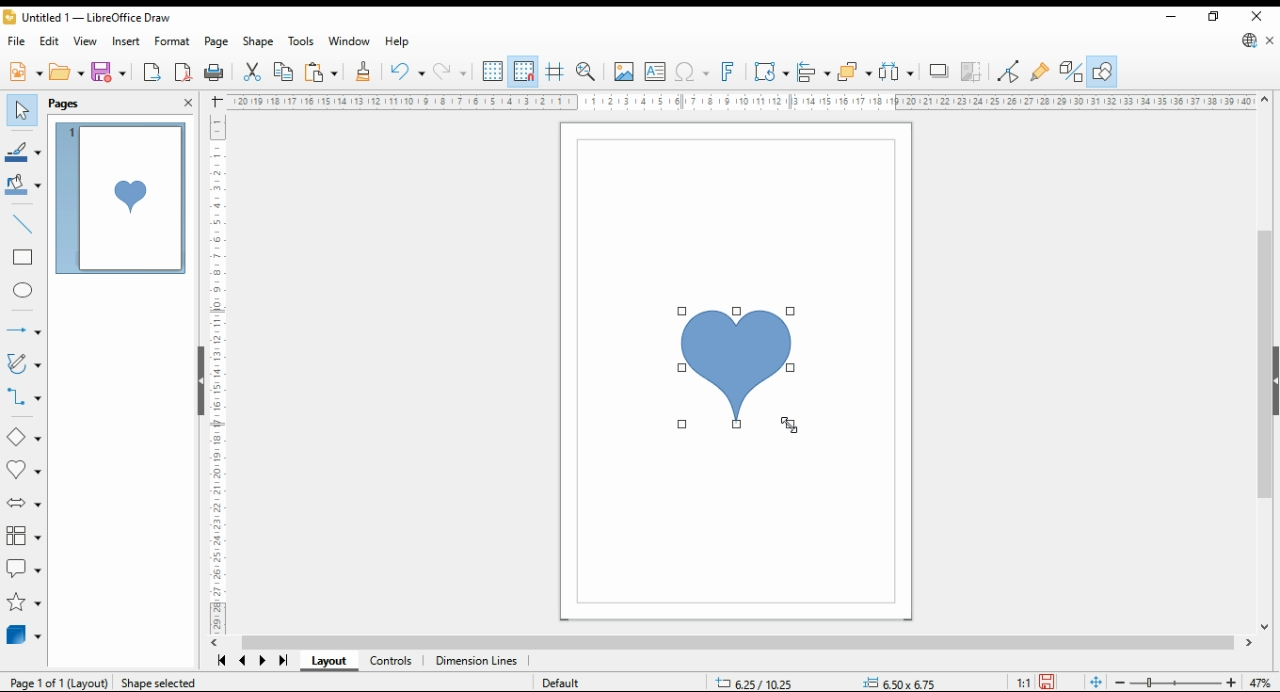 The image size is (1280, 692). I want to click on close formatting, so click(364, 71).